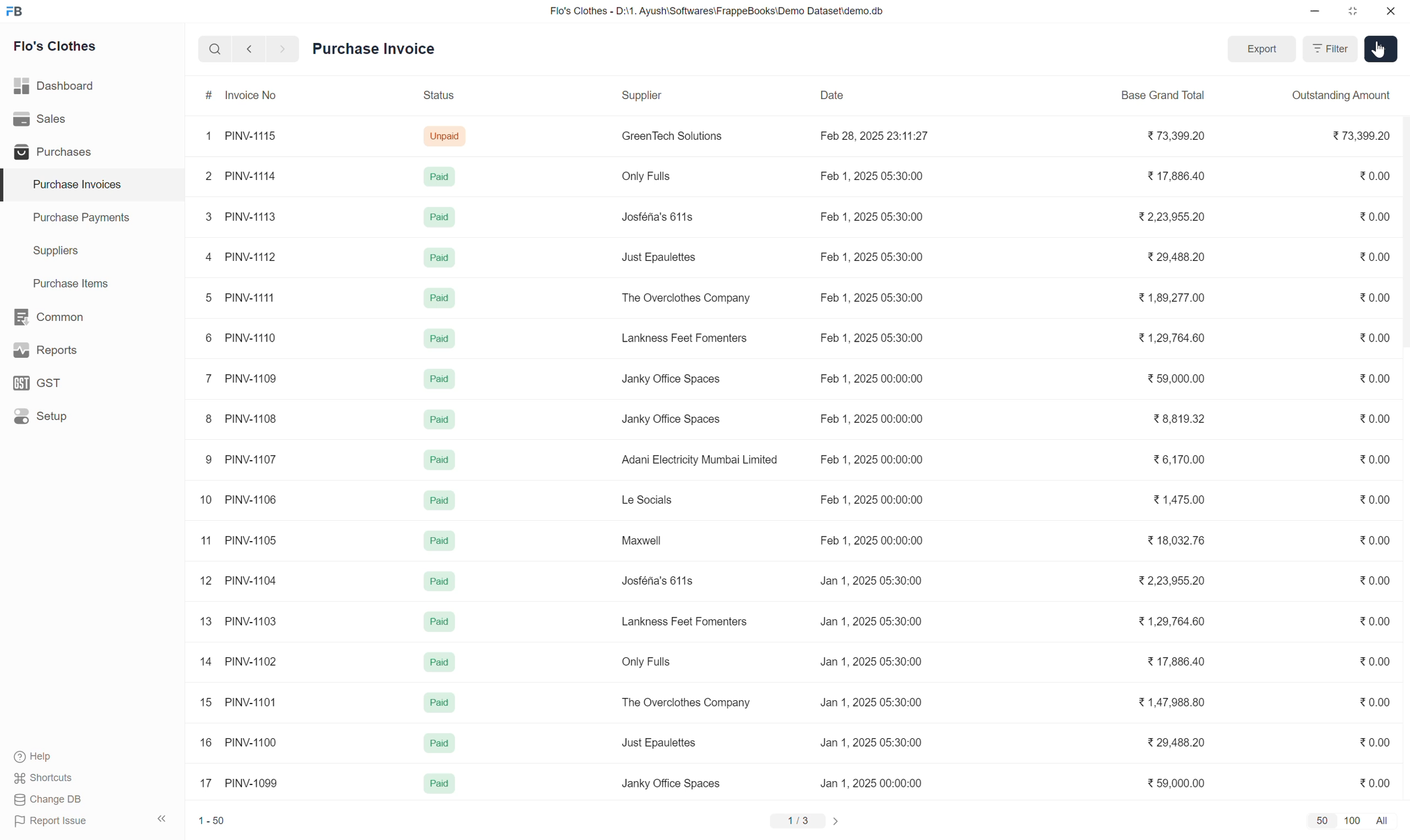  Describe the element at coordinates (434, 338) in the screenshot. I see `Paid` at that location.